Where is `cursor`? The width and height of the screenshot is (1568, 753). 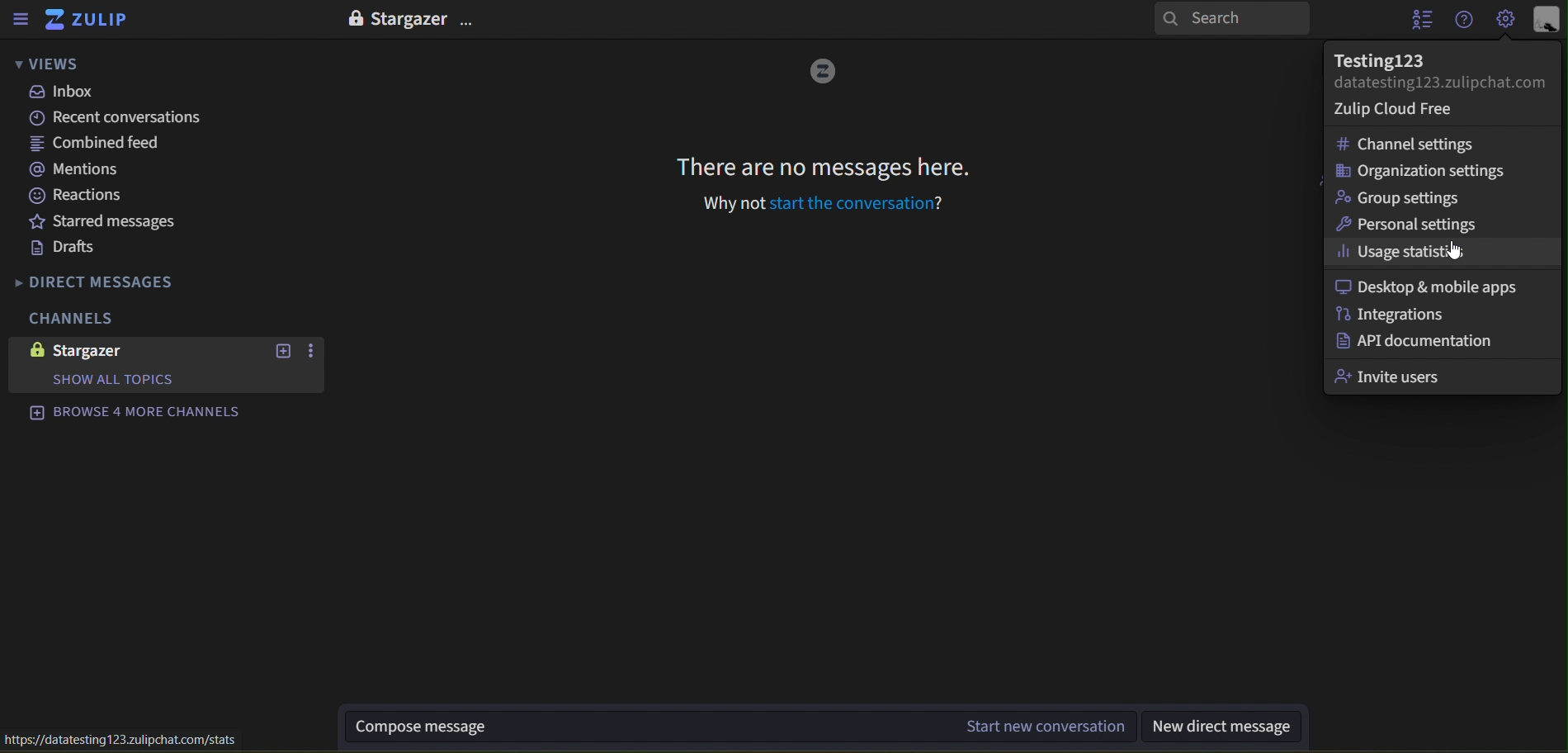
cursor is located at coordinates (1452, 252).